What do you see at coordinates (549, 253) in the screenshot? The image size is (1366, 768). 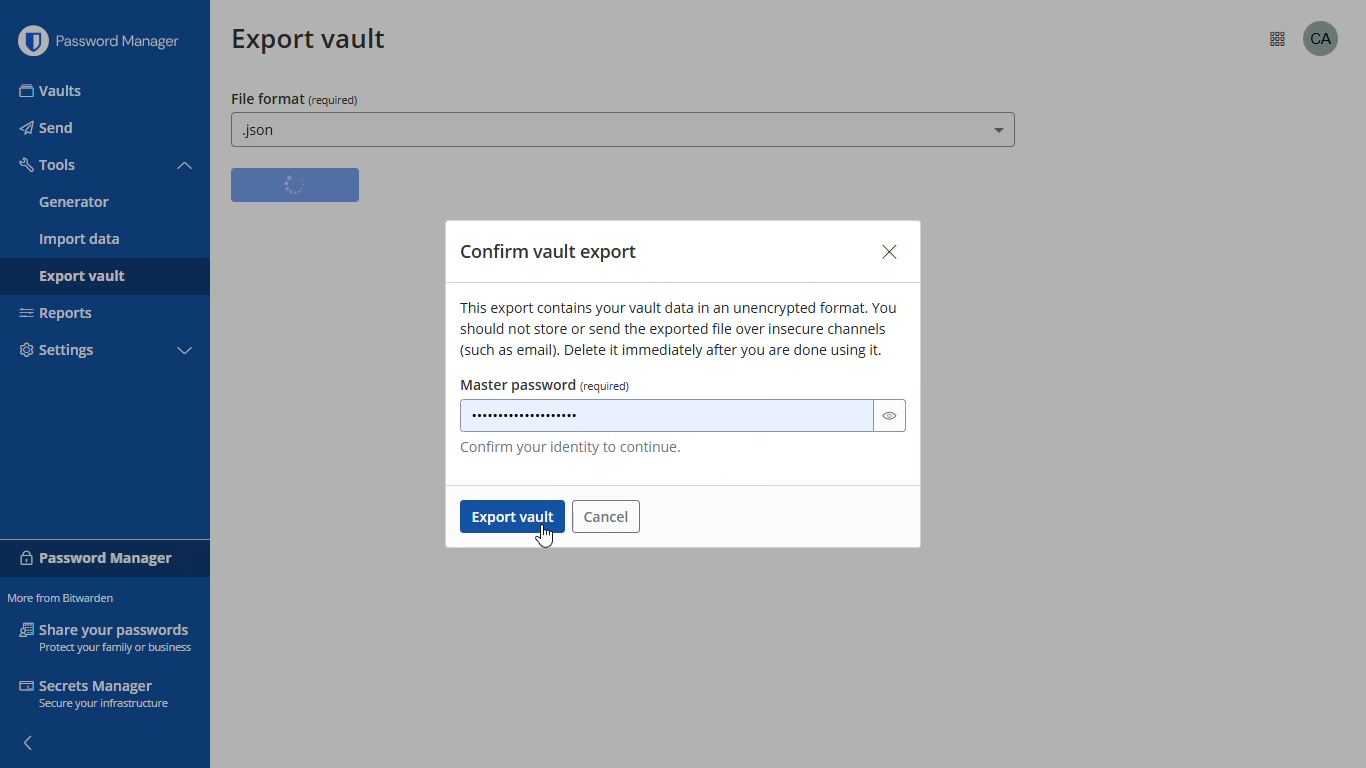 I see `confirm vault export` at bounding box center [549, 253].